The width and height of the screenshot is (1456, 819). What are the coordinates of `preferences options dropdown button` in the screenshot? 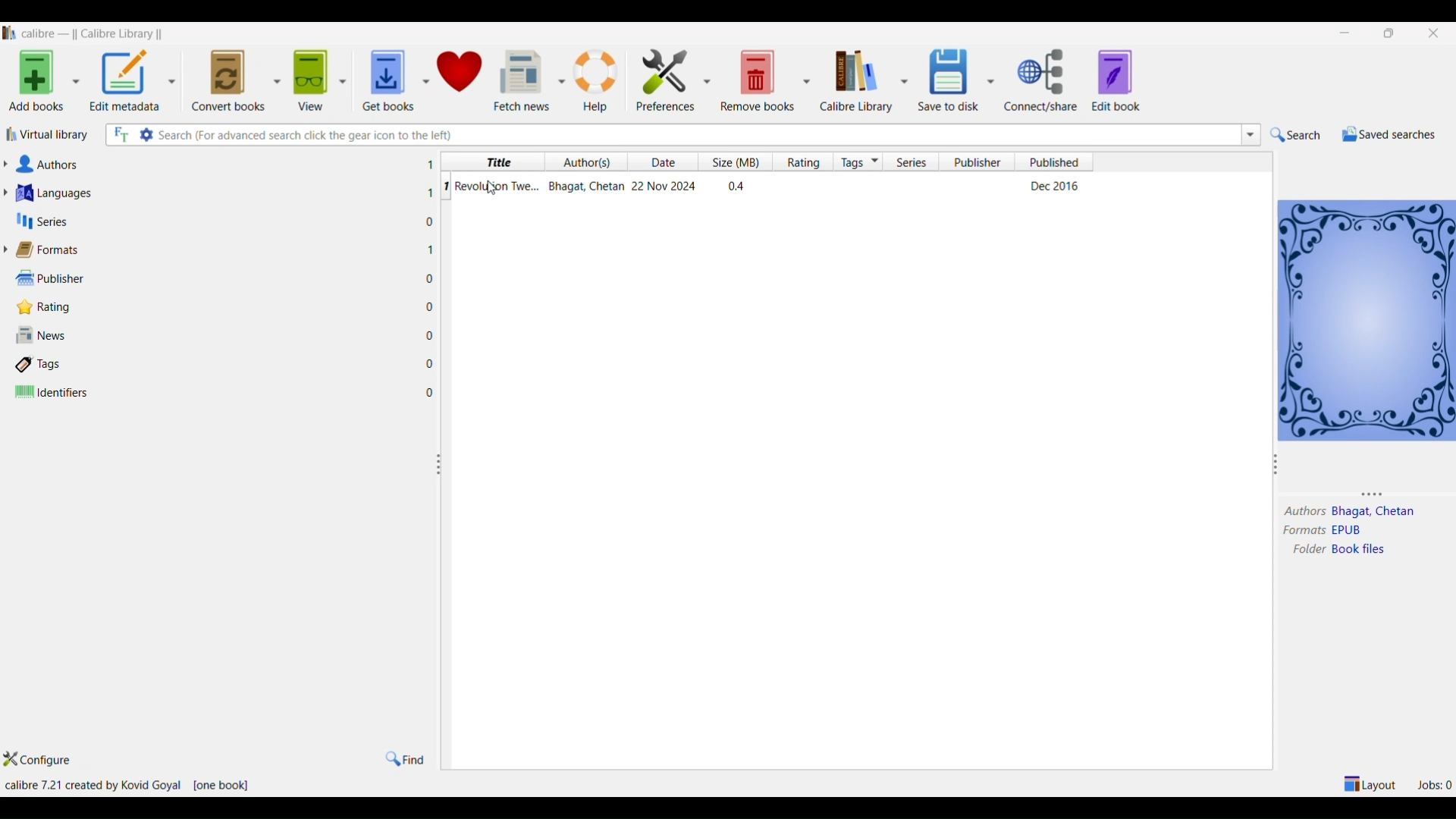 It's located at (708, 80).